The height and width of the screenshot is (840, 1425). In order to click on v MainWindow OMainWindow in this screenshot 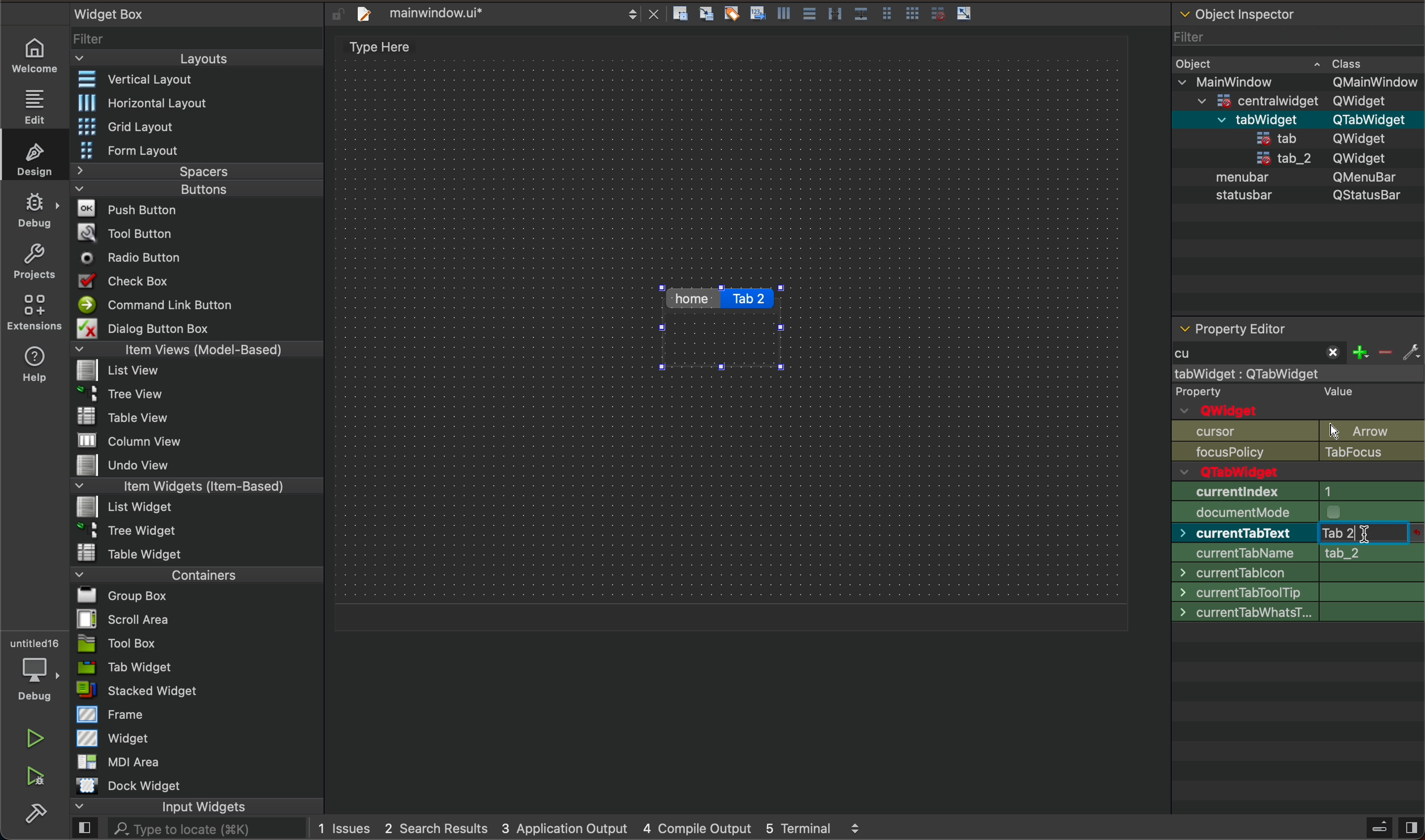, I will do `click(1299, 80)`.